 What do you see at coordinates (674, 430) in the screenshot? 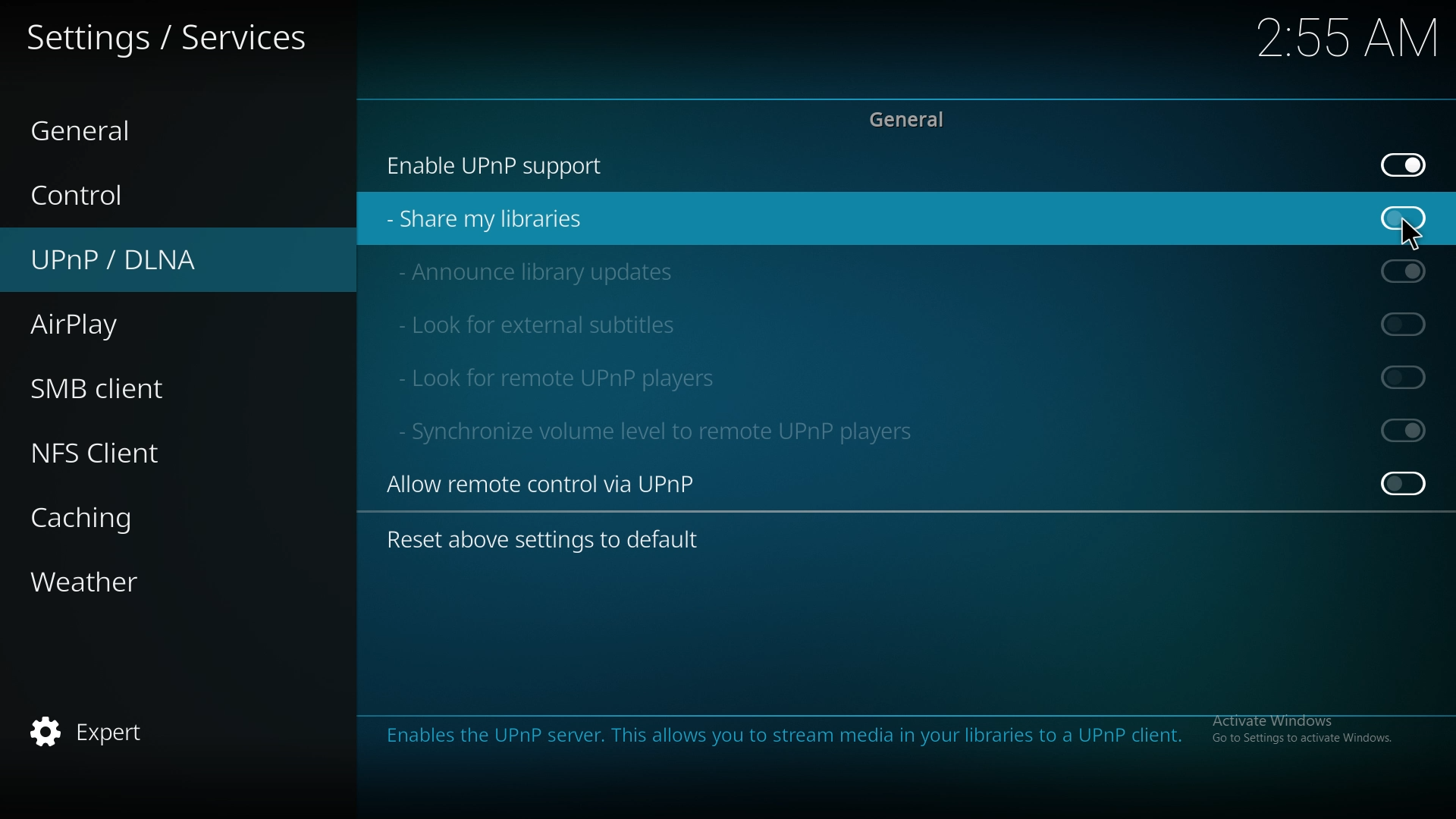
I see `sync volume level to remote upnp` at bounding box center [674, 430].